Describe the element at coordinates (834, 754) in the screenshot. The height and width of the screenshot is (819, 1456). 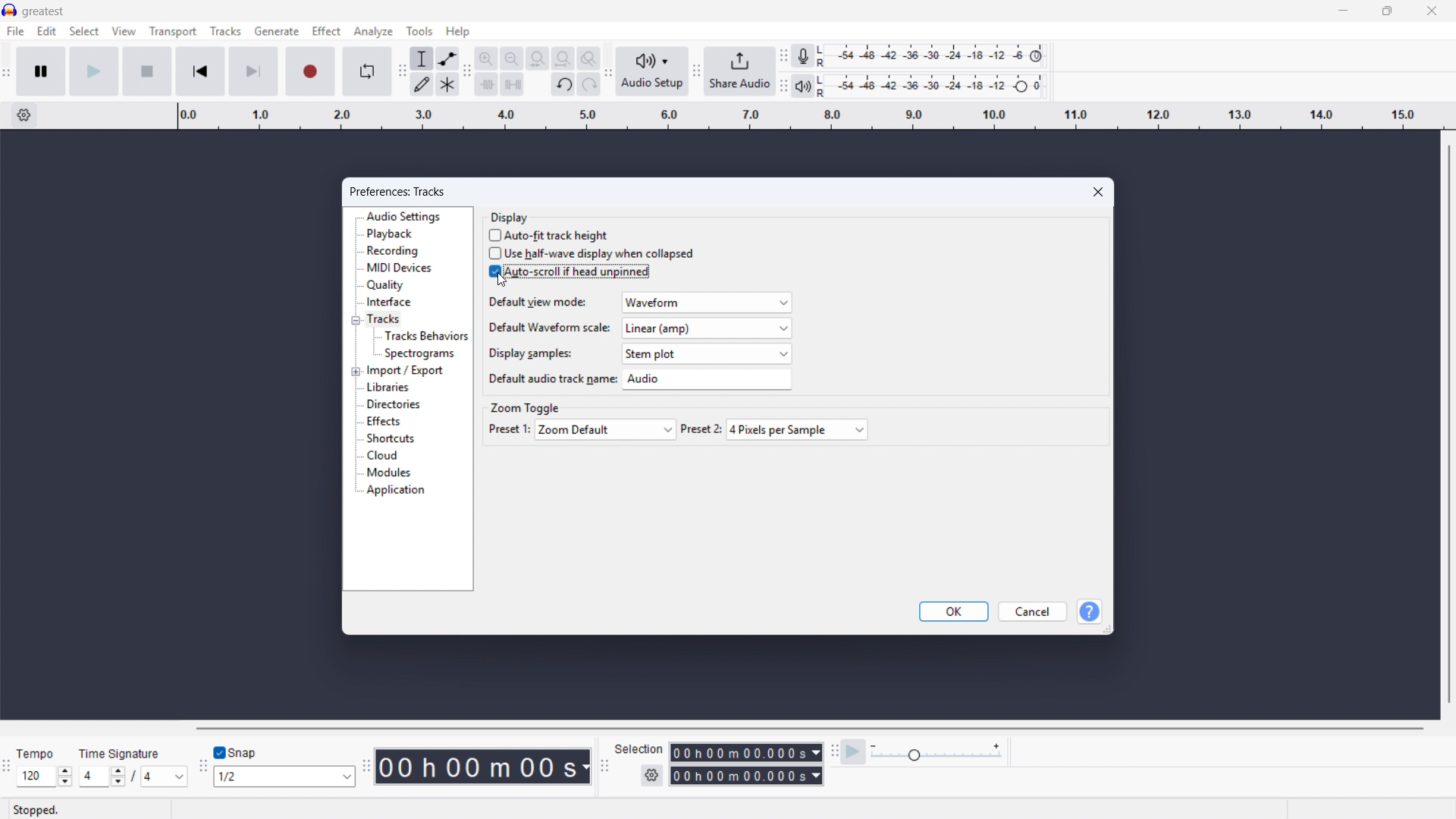
I see `Play at speed toolbar ` at that location.